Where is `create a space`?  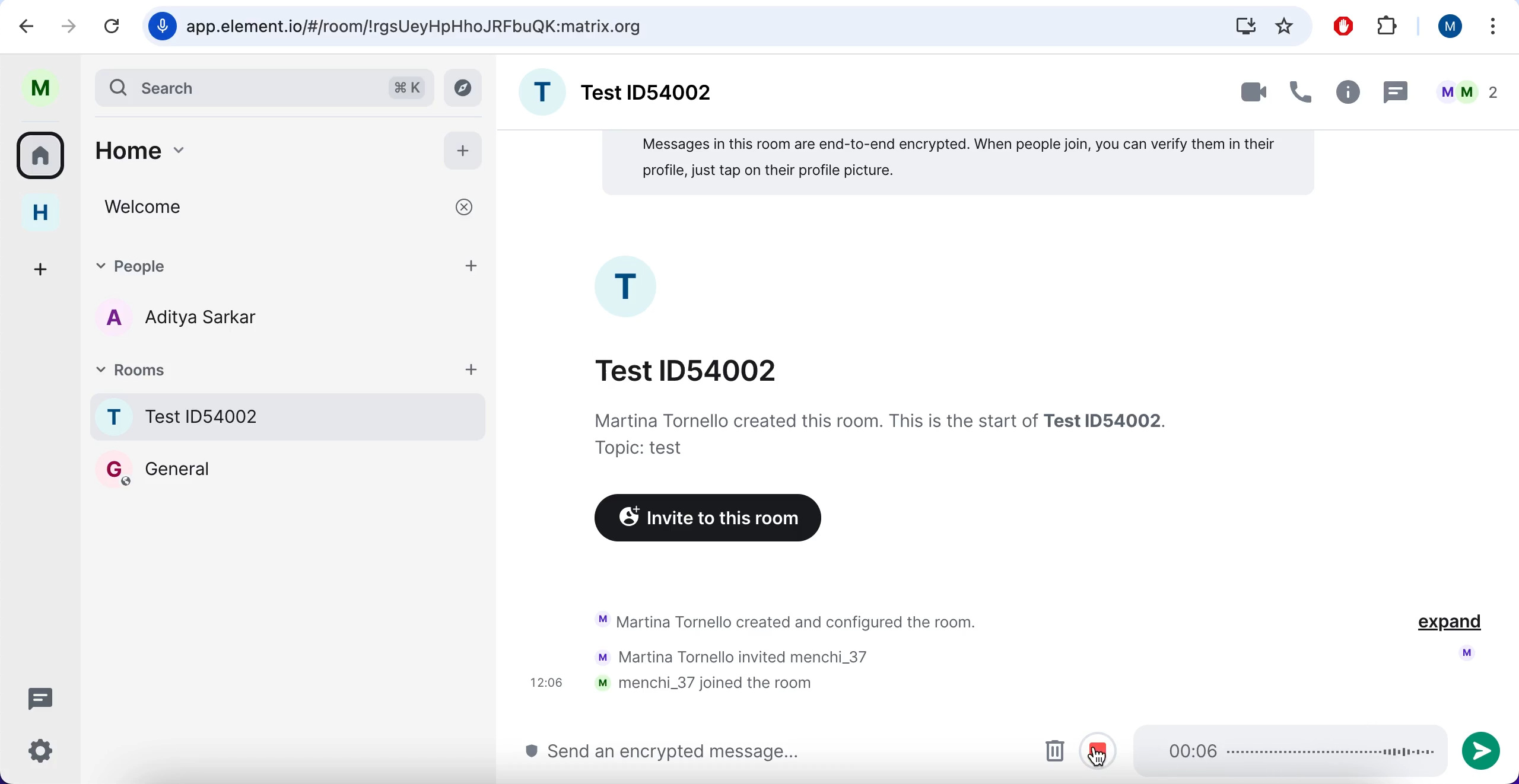 create a space is located at coordinates (43, 268).